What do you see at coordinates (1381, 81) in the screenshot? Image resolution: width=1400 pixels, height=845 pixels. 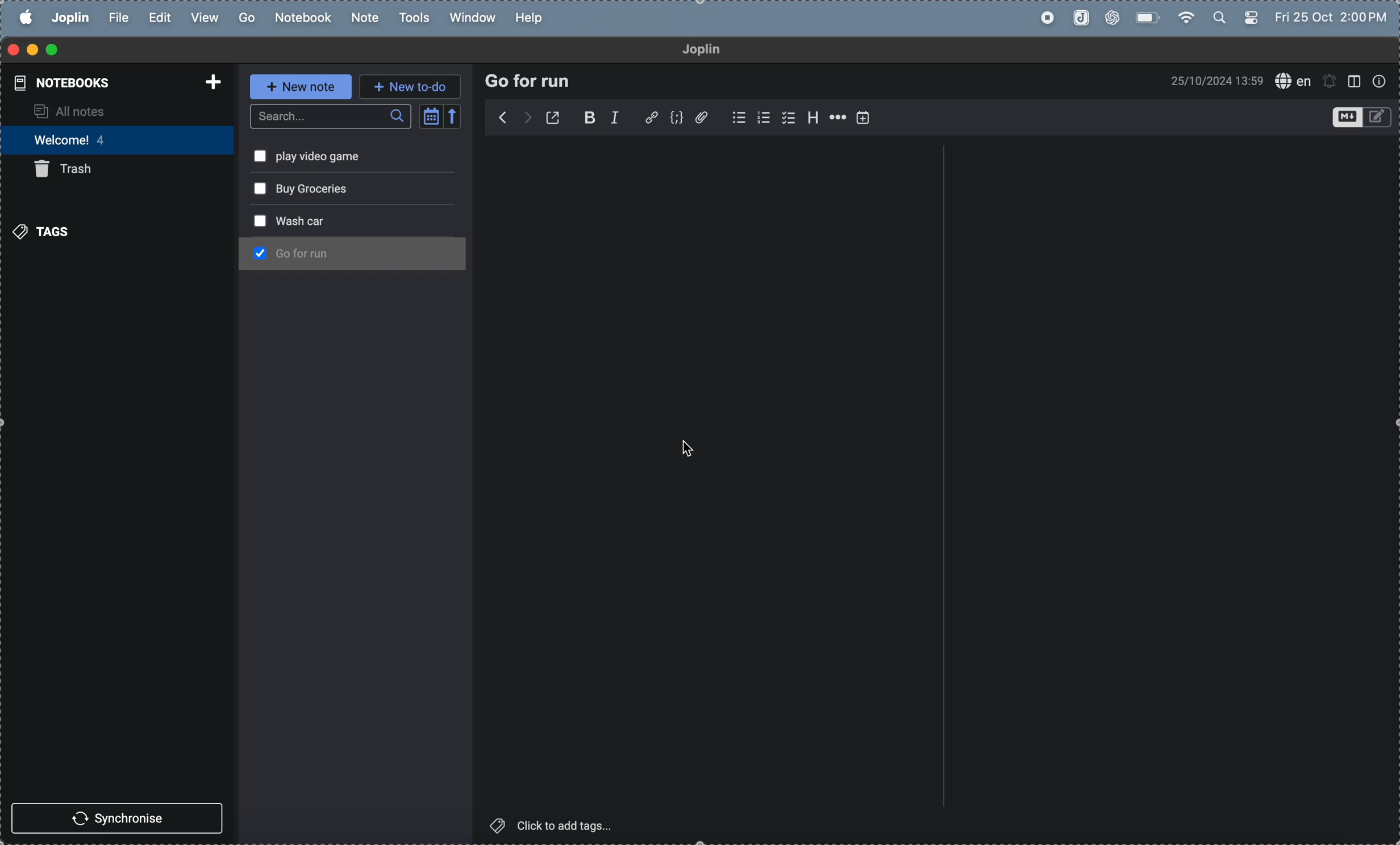 I see `info` at bounding box center [1381, 81].